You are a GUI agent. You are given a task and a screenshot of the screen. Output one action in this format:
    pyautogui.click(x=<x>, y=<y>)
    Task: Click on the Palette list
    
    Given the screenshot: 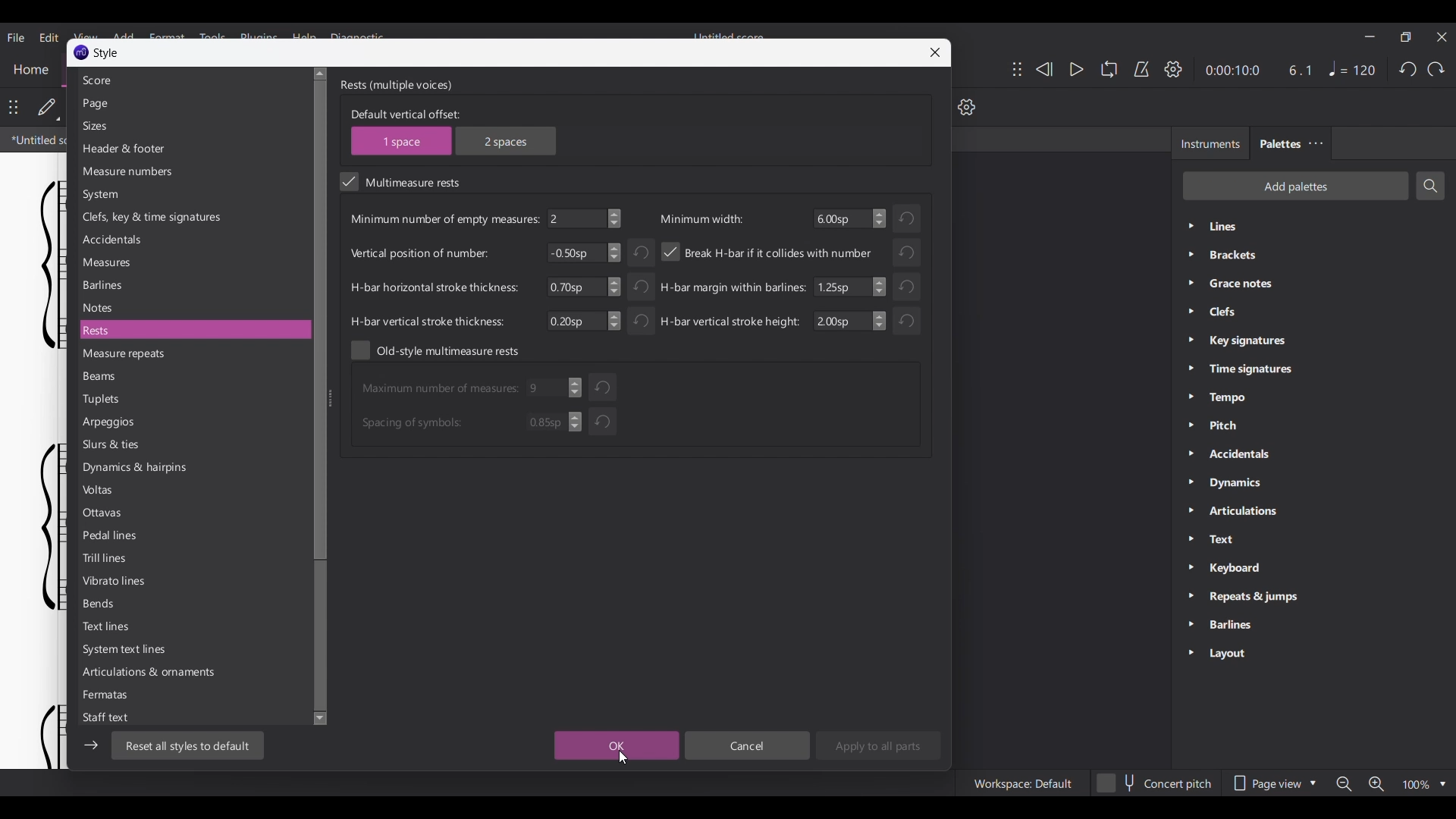 What is the action you would take?
    pyautogui.click(x=1329, y=441)
    